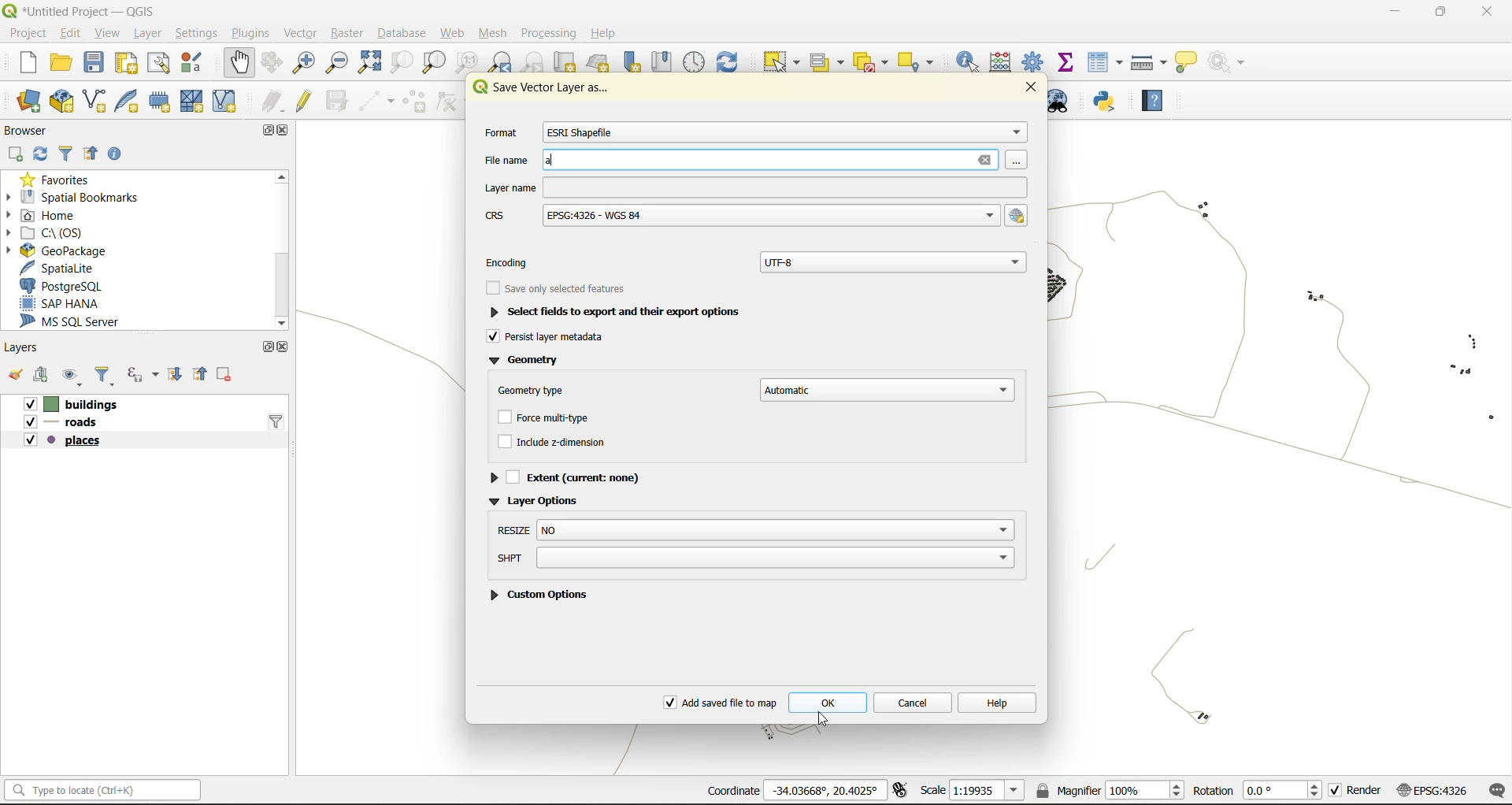 Image resolution: width=1512 pixels, height=805 pixels. Describe the element at coordinates (400, 63) in the screenshot. I see `zoom selection` at that location.